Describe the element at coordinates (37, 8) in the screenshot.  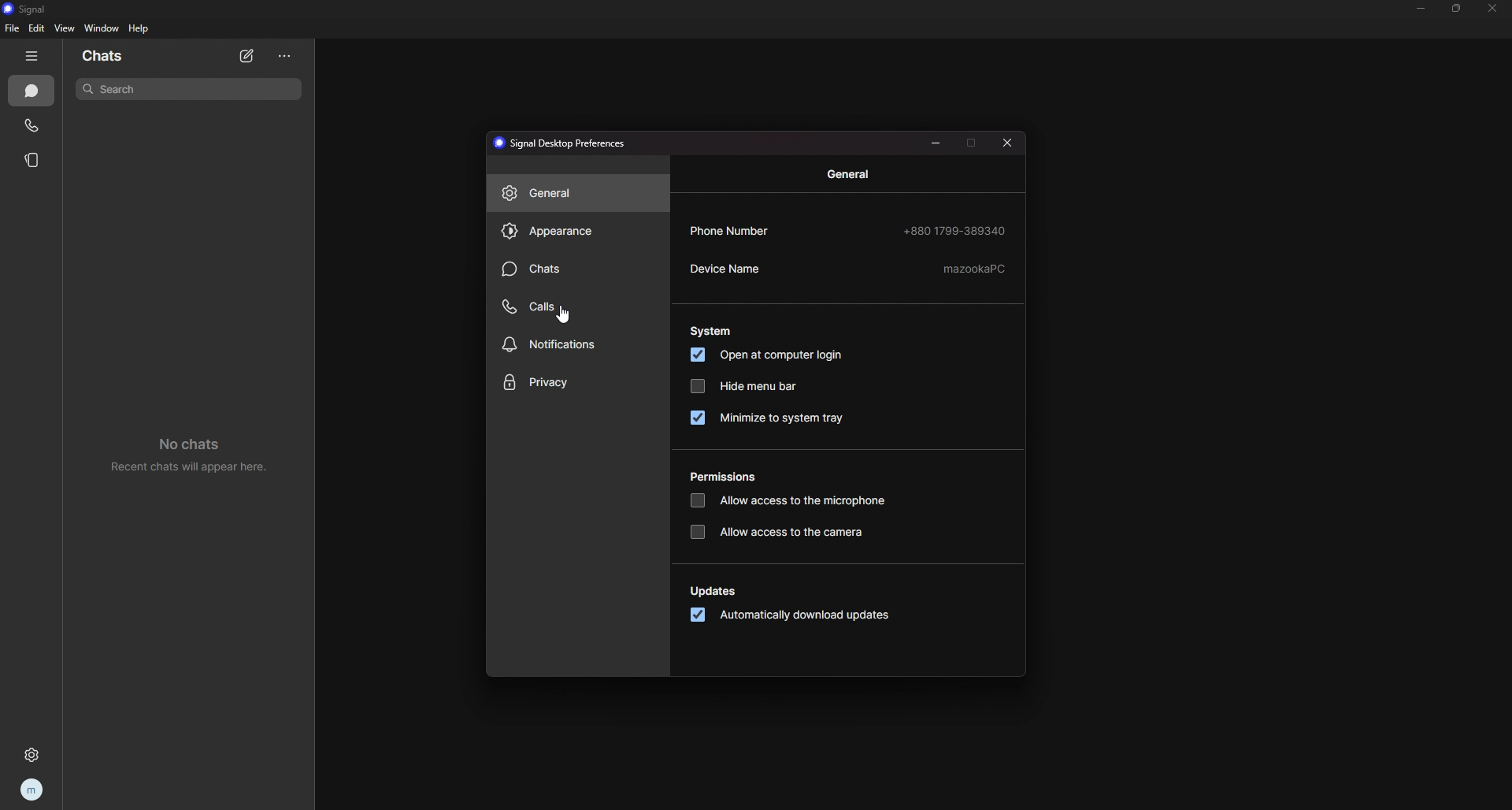
I see `signal` at that location.